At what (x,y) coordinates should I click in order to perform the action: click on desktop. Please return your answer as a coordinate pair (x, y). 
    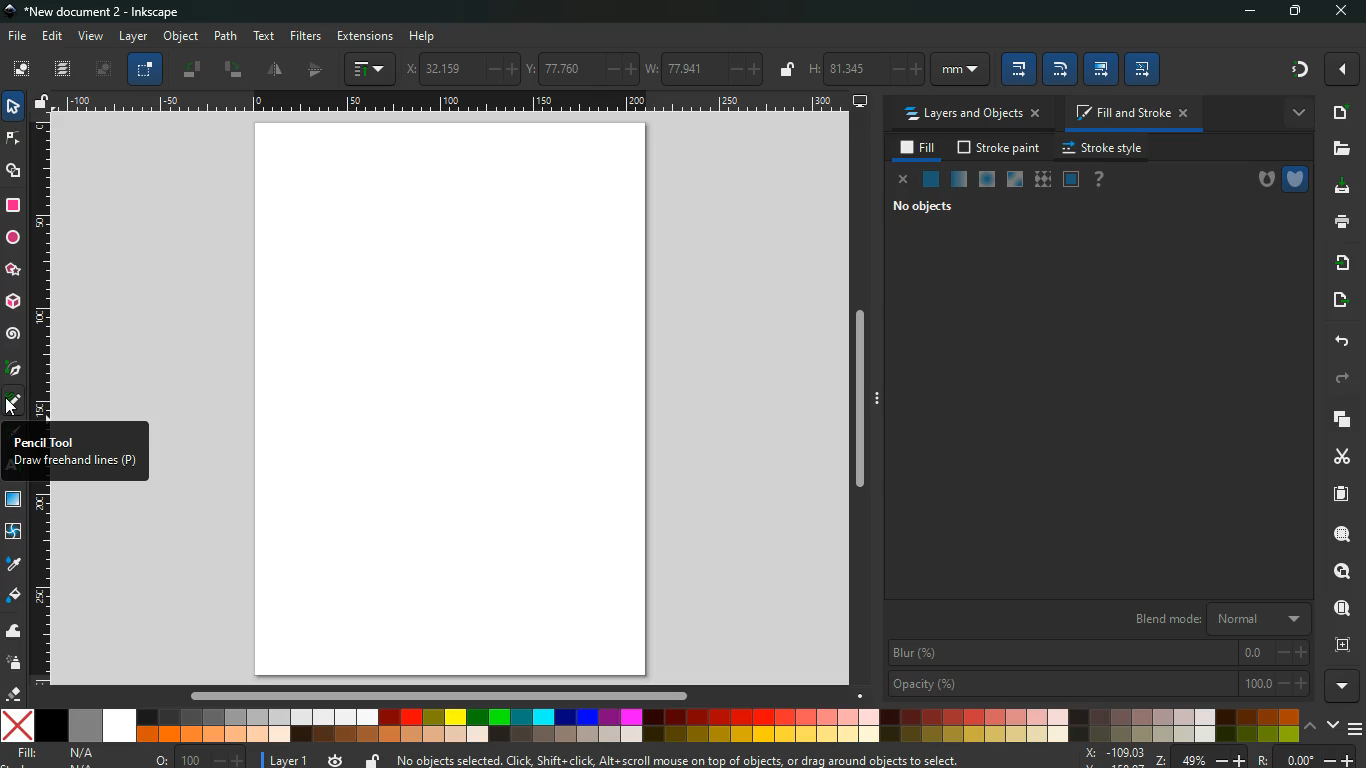
    Looking at the image, I should click on (859, 102).